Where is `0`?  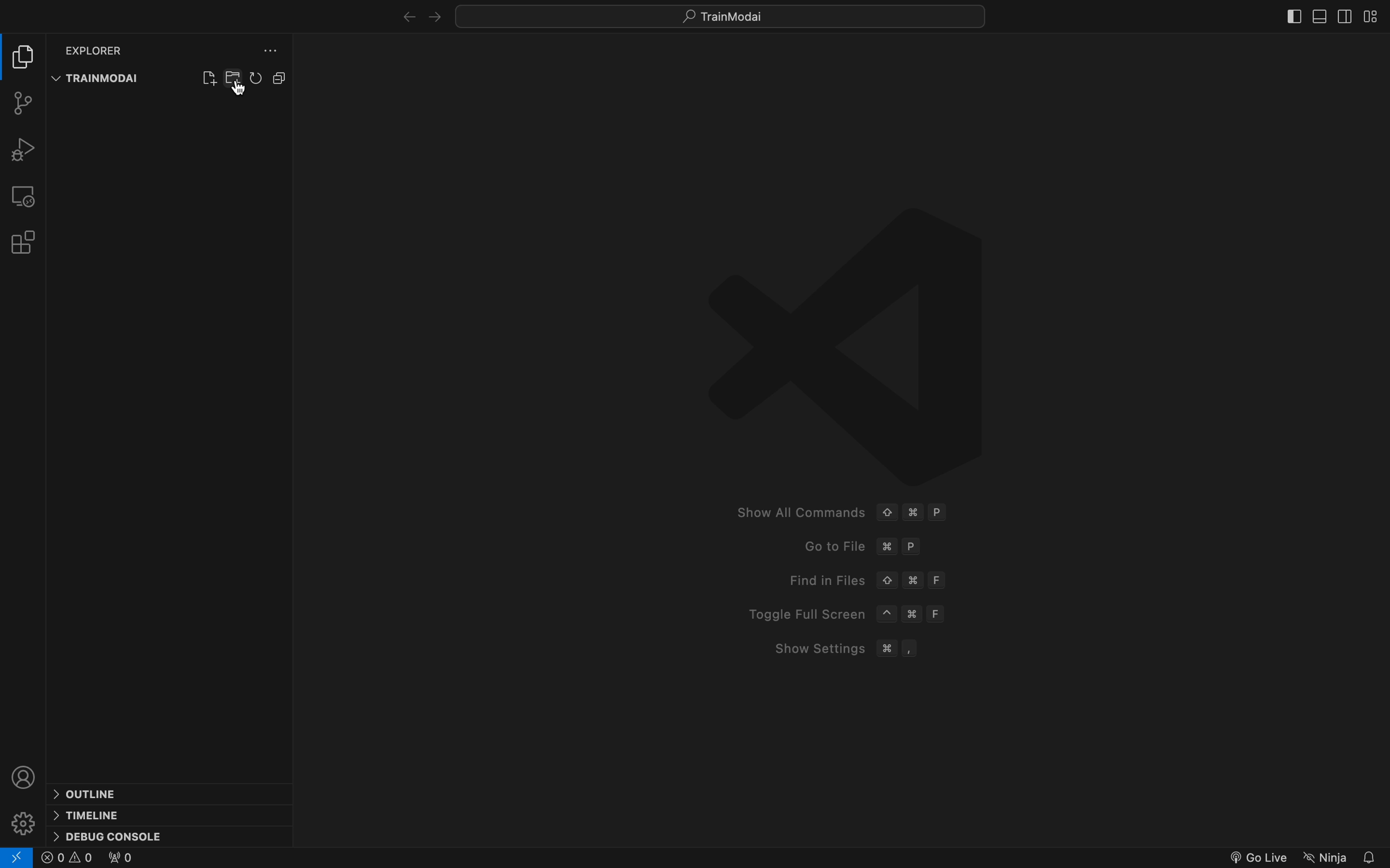
0 is located at coordinates (118, 858).